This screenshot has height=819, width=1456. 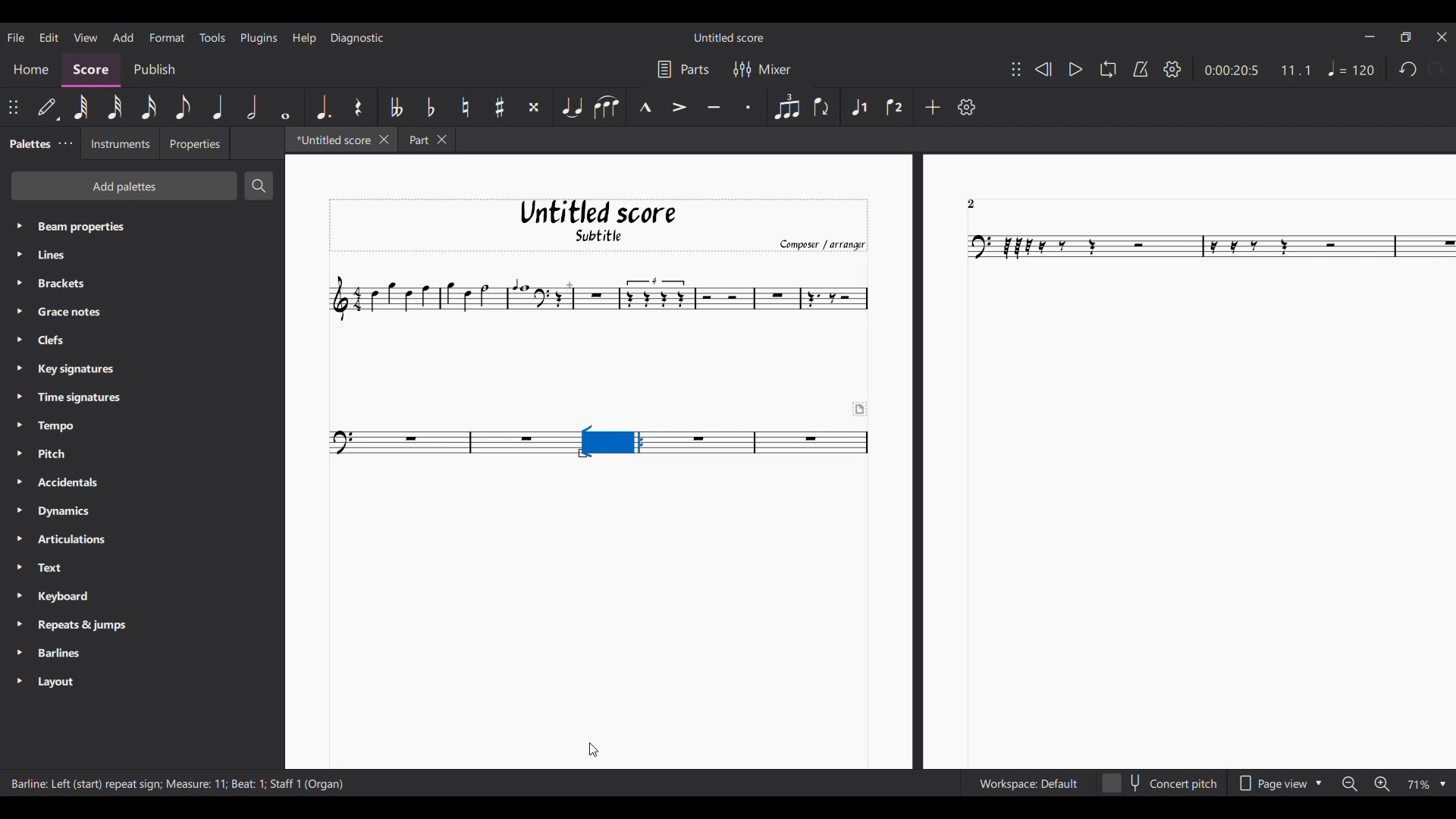 What do you see at coordinates (1442, 36) in the screenshot?
I see `Close interface` at bounding box center [1442, 36].